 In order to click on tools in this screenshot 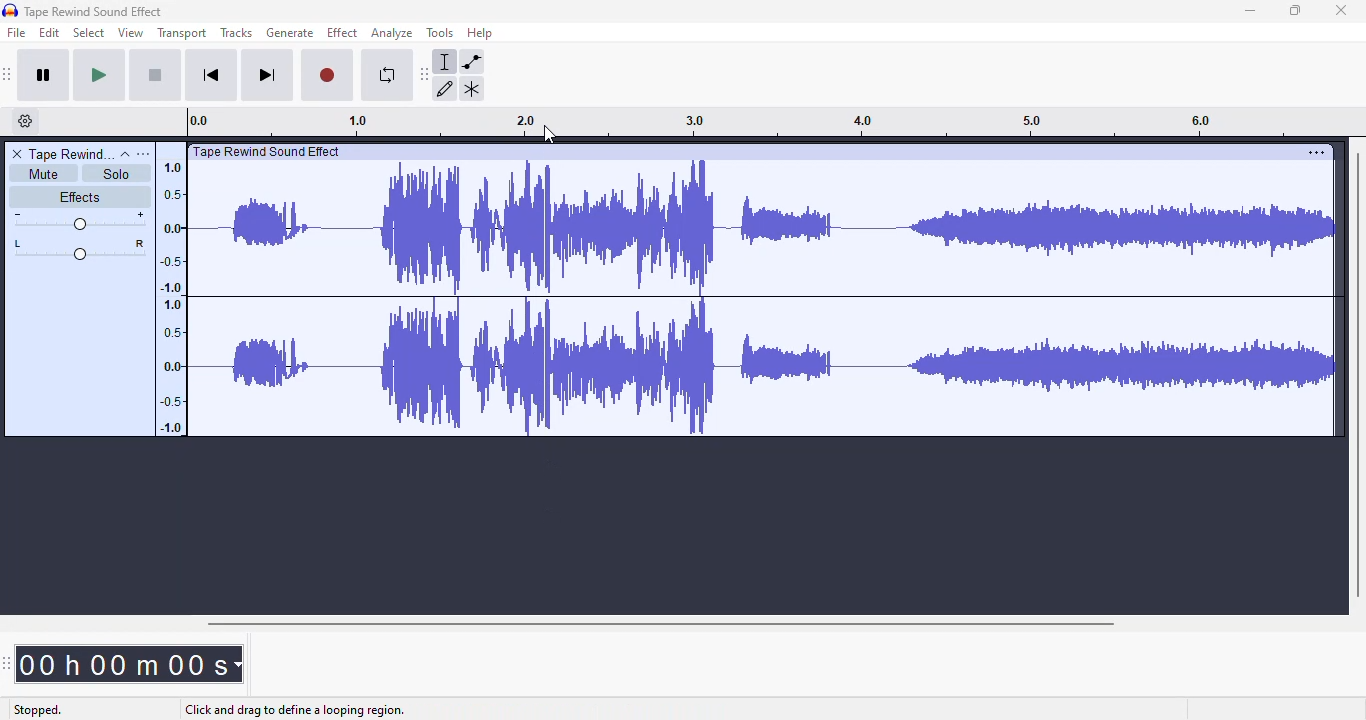, I will do `click(441, 32)`.